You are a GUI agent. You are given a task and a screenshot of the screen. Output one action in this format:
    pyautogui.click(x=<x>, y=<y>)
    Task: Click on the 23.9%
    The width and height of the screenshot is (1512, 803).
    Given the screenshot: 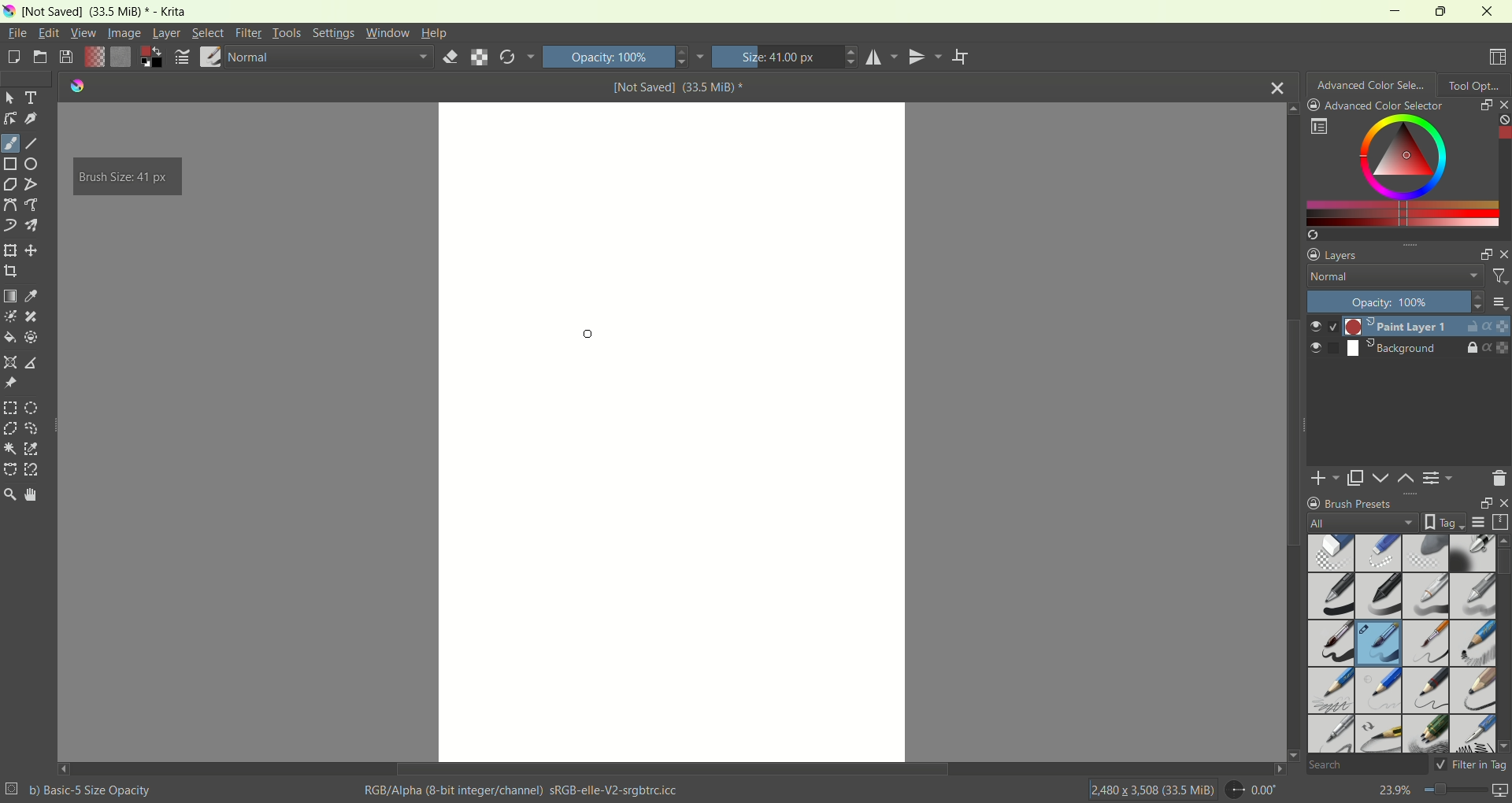 What is the action you would take?
    pyautogui.click(x=1443, y=793)
    